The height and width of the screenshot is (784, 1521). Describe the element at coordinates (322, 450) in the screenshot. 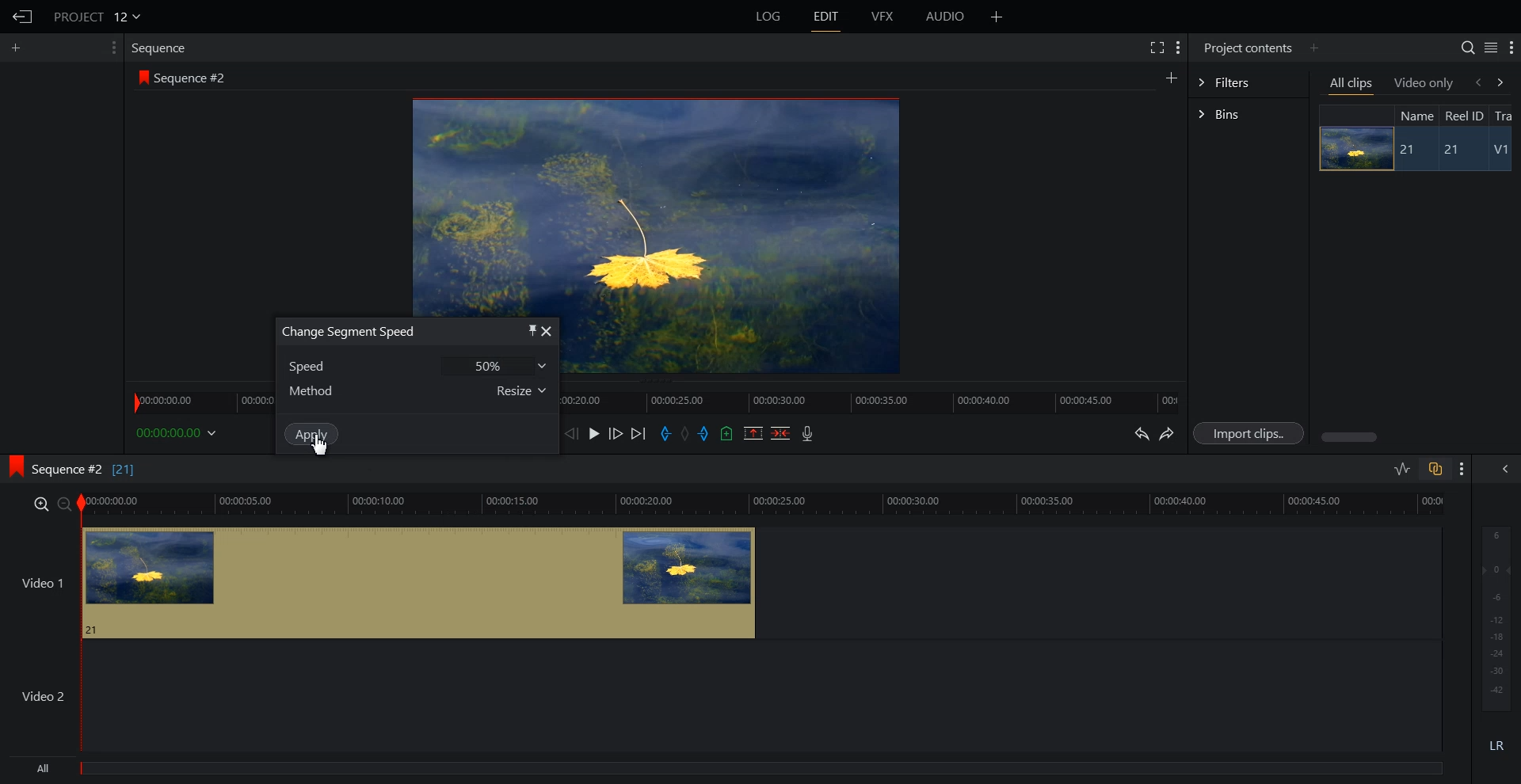

I see `Cursor` at that location.